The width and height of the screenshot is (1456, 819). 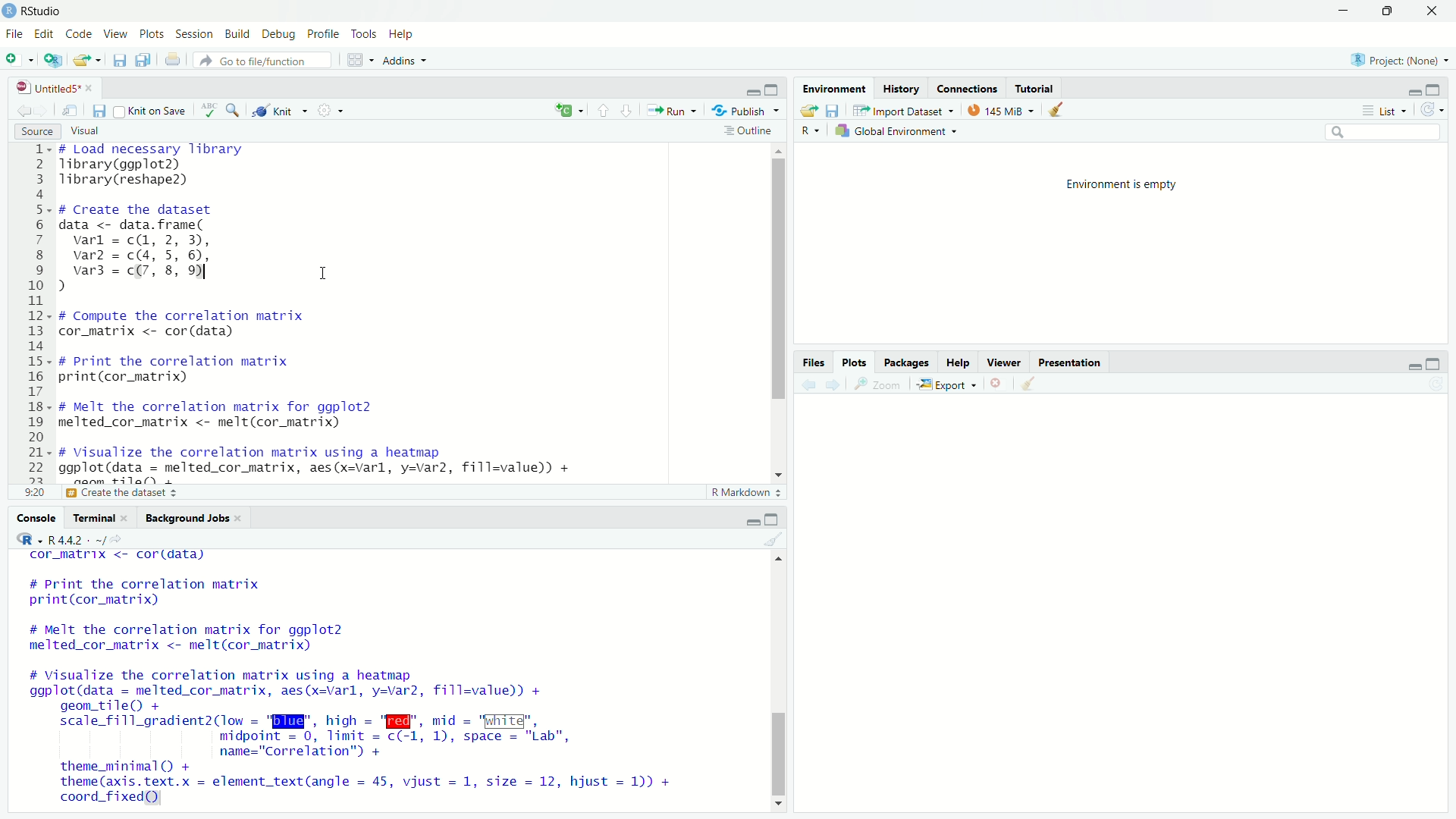 I want to click on environment is empty, so click(x=1125, y=186).